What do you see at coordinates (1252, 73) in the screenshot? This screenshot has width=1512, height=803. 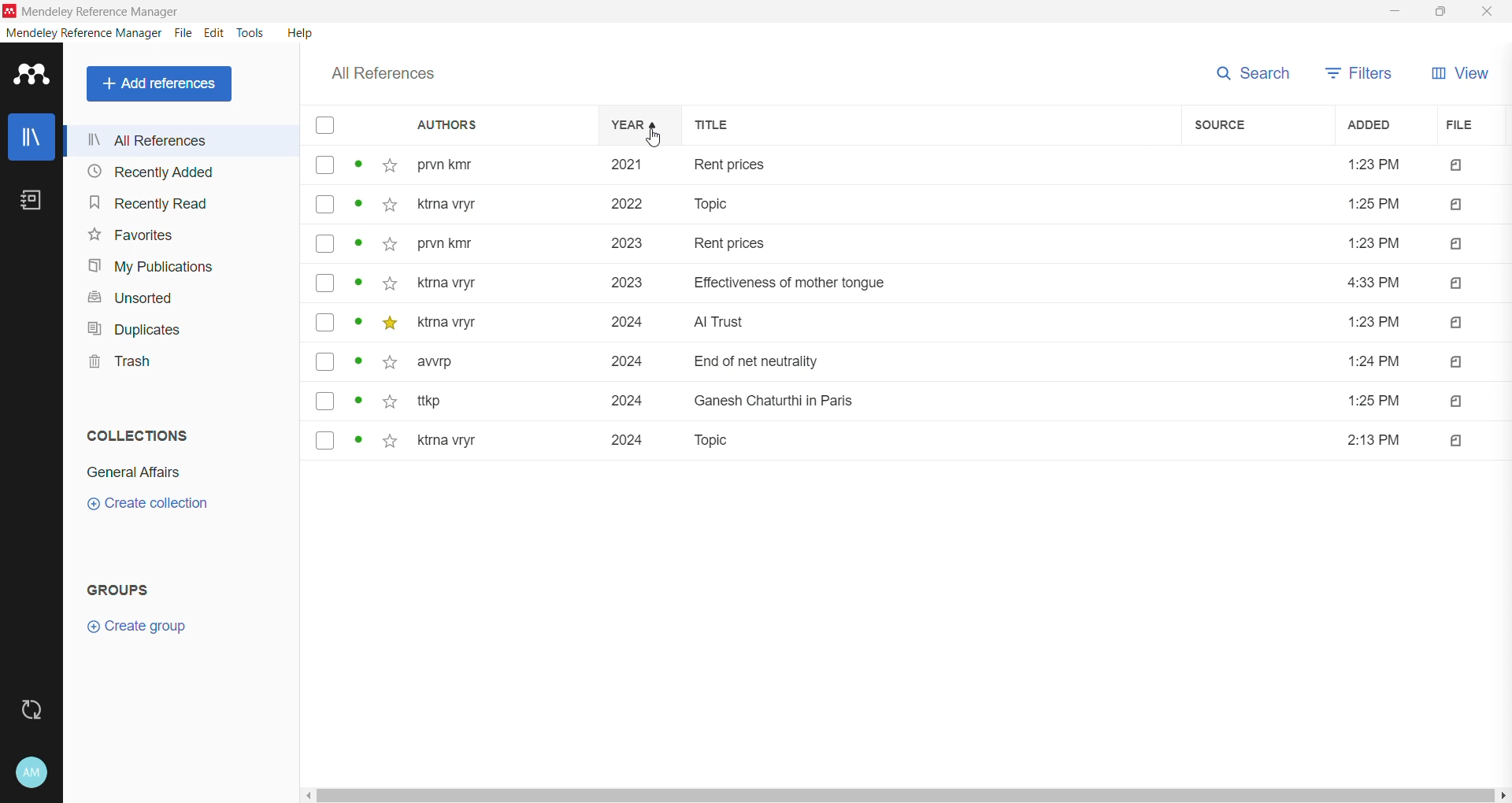 I see `Search` at bounding box center [1252, 73].